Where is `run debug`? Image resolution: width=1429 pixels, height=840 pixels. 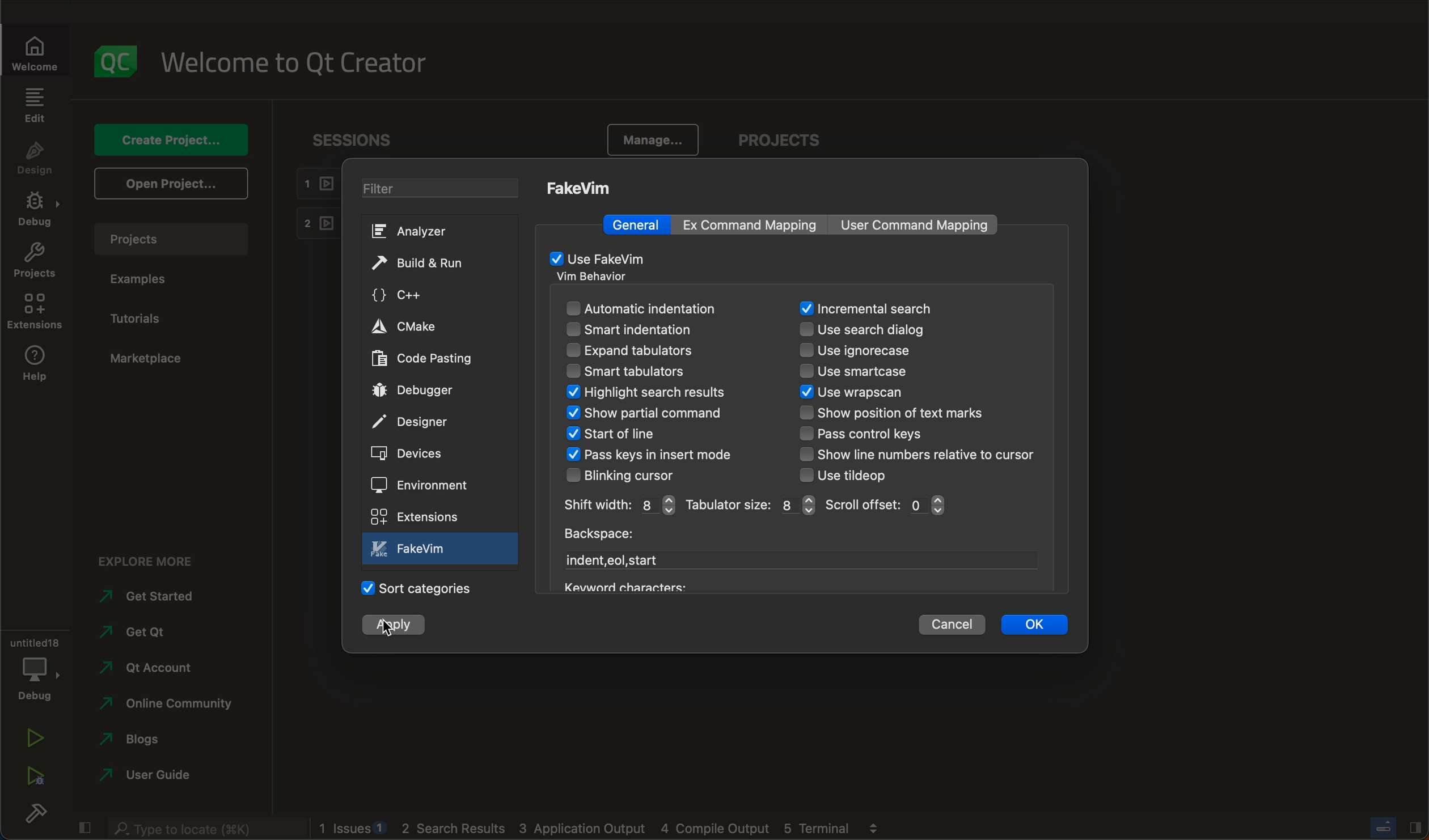
run debug is located at coordinates (32, 778).